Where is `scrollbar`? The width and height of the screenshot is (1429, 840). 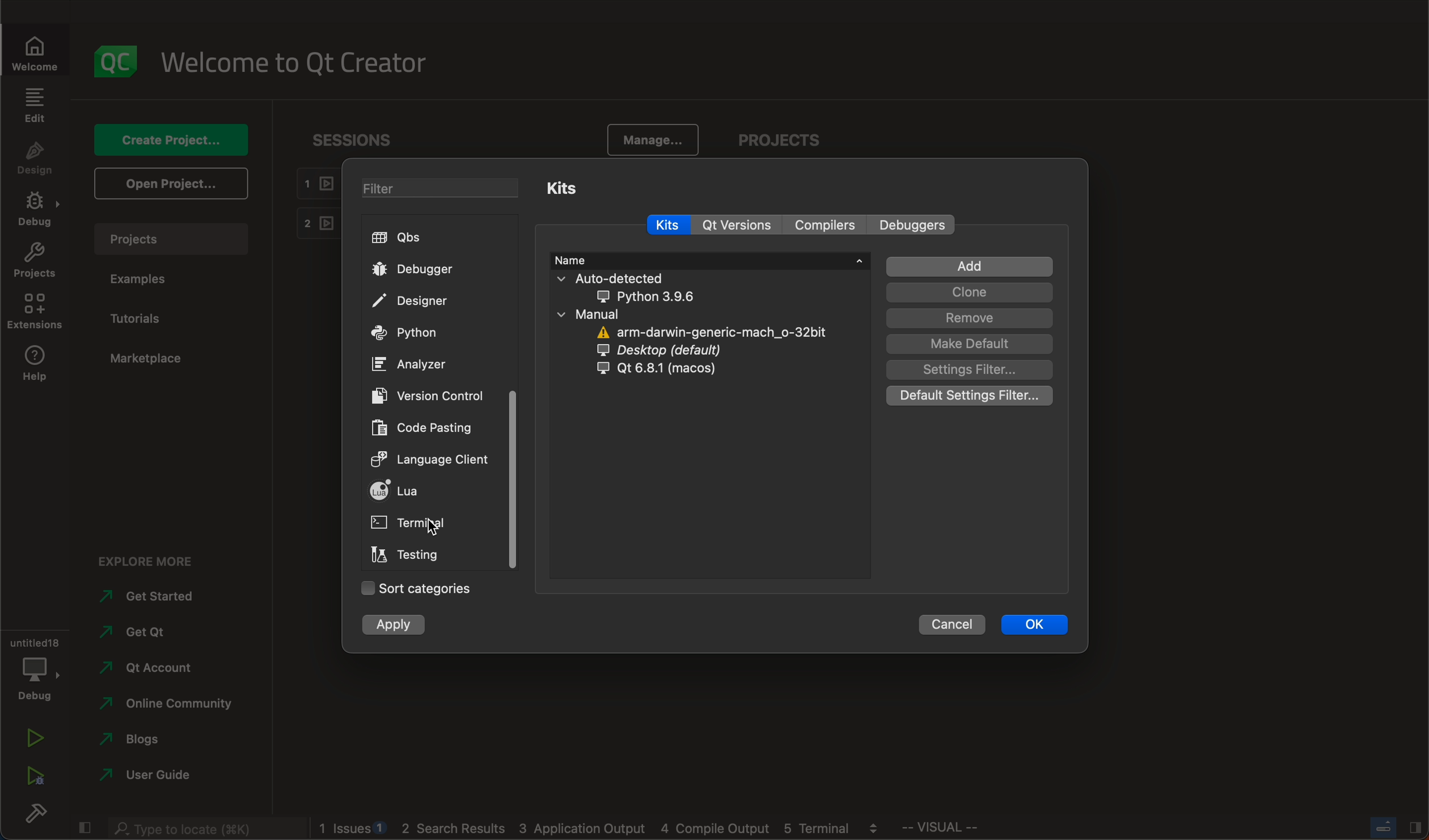 scrollbar is located at coordinates (512, 479).